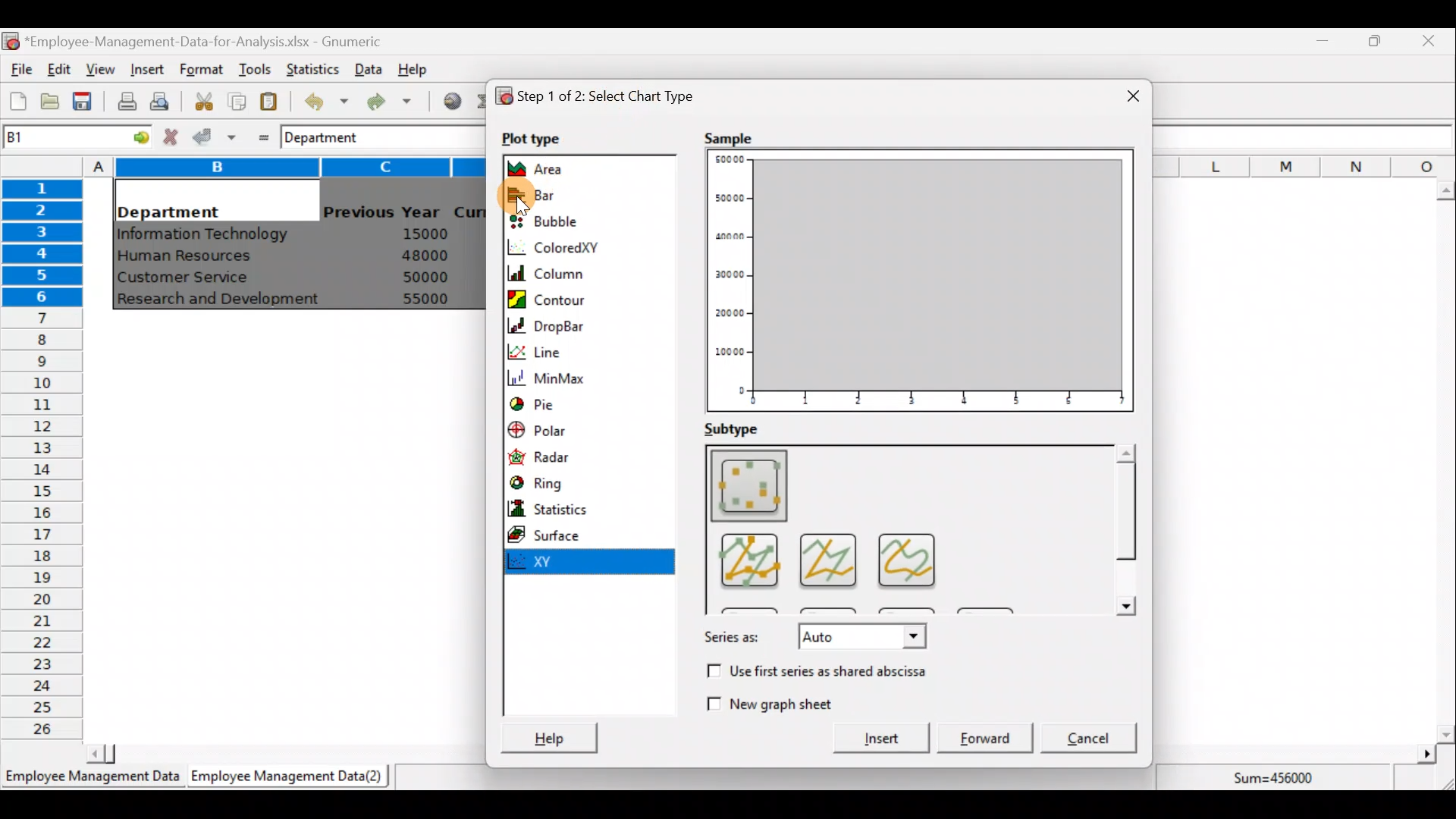 The width and height of the screenshot is (1456, 819). Describe the element at coordinates (268, 101) in the screenshot. I see `Paste the clipboard` at that location.